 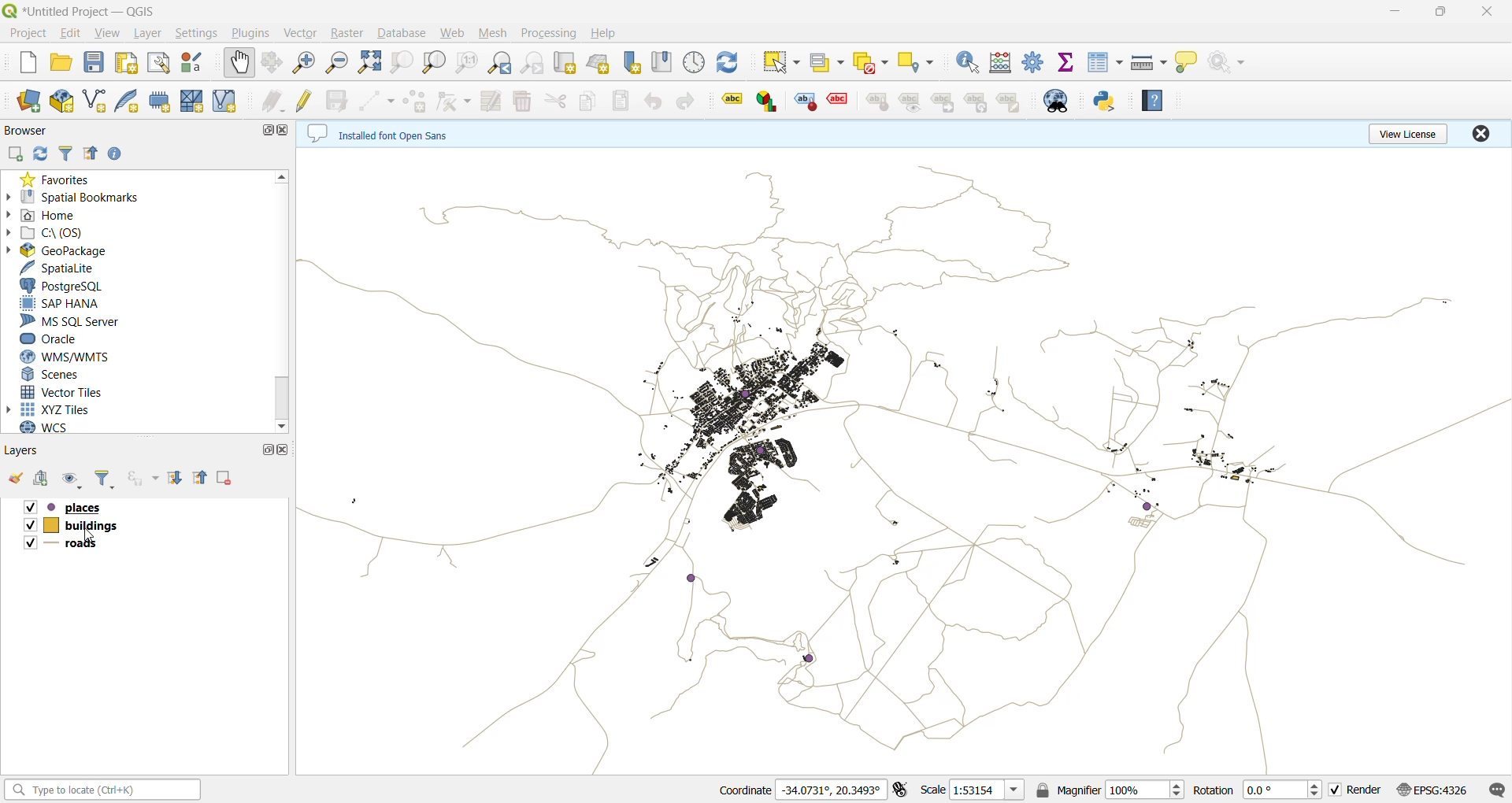 What do you see at coordinates (197, 64) in the screenshot?
I see `style manager` at bounding box center [197, 64].